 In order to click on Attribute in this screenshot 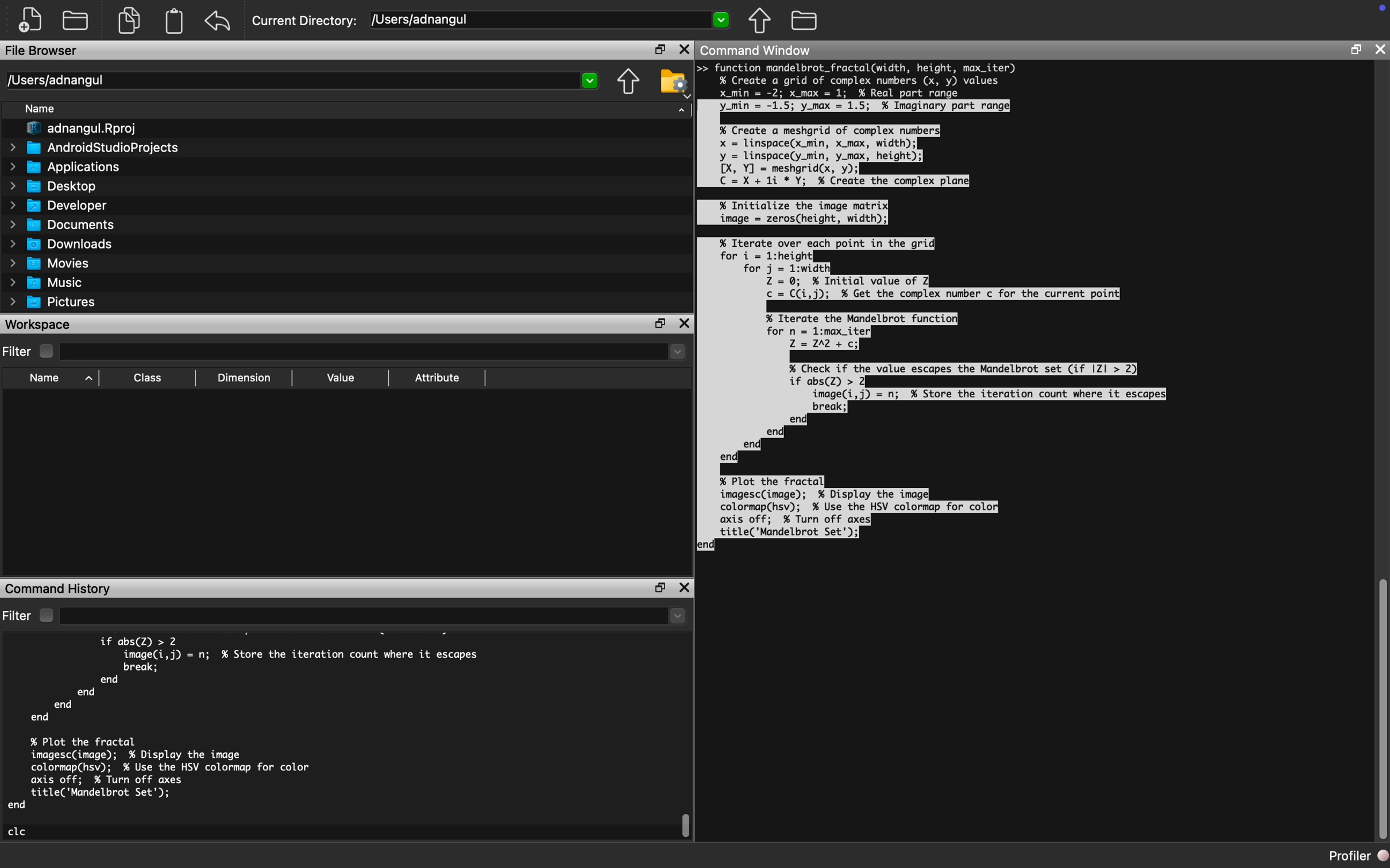, I will do `click(438, 377)`.